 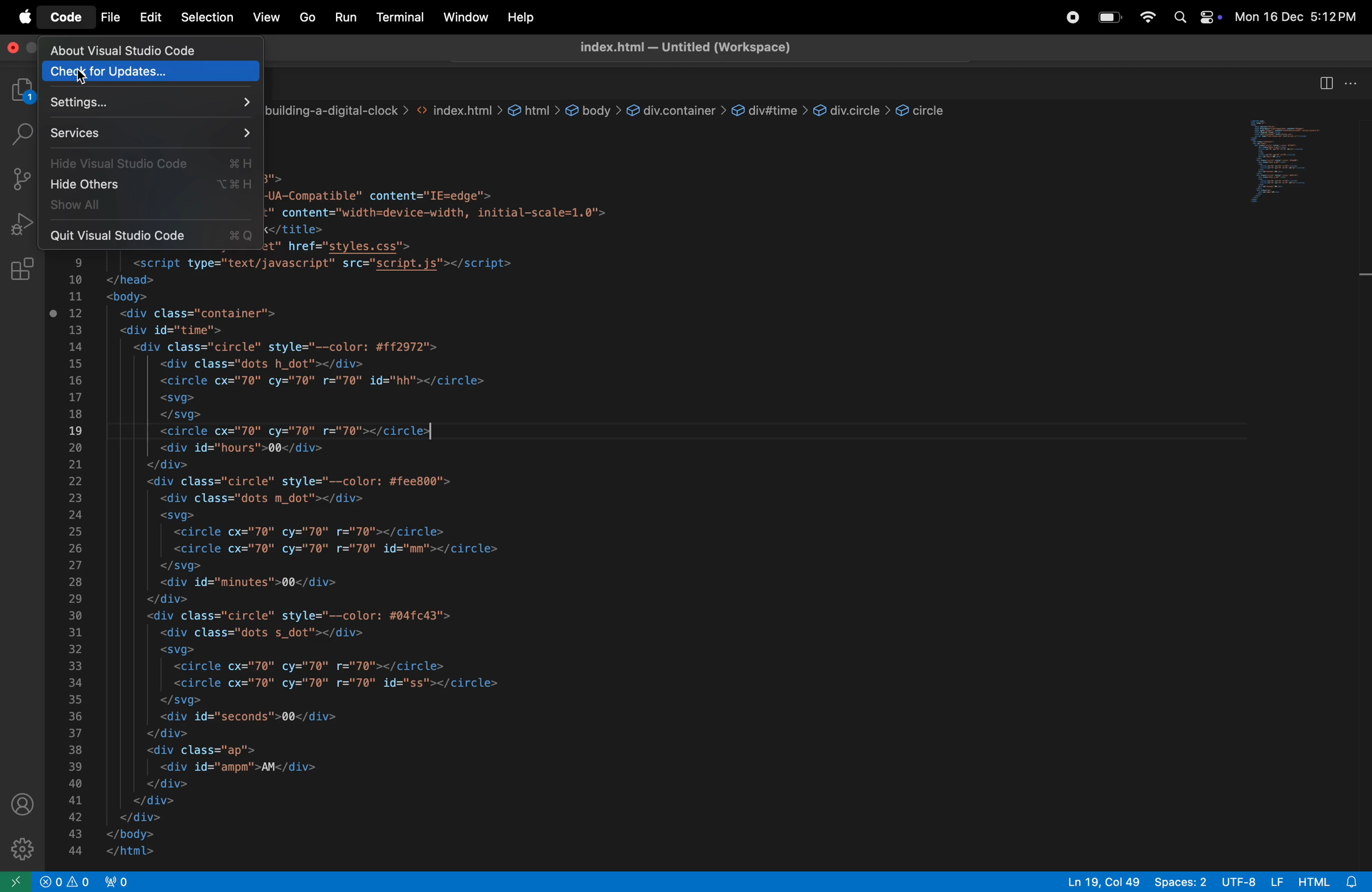 I want to click on </div>, so click(x=167, y=598).